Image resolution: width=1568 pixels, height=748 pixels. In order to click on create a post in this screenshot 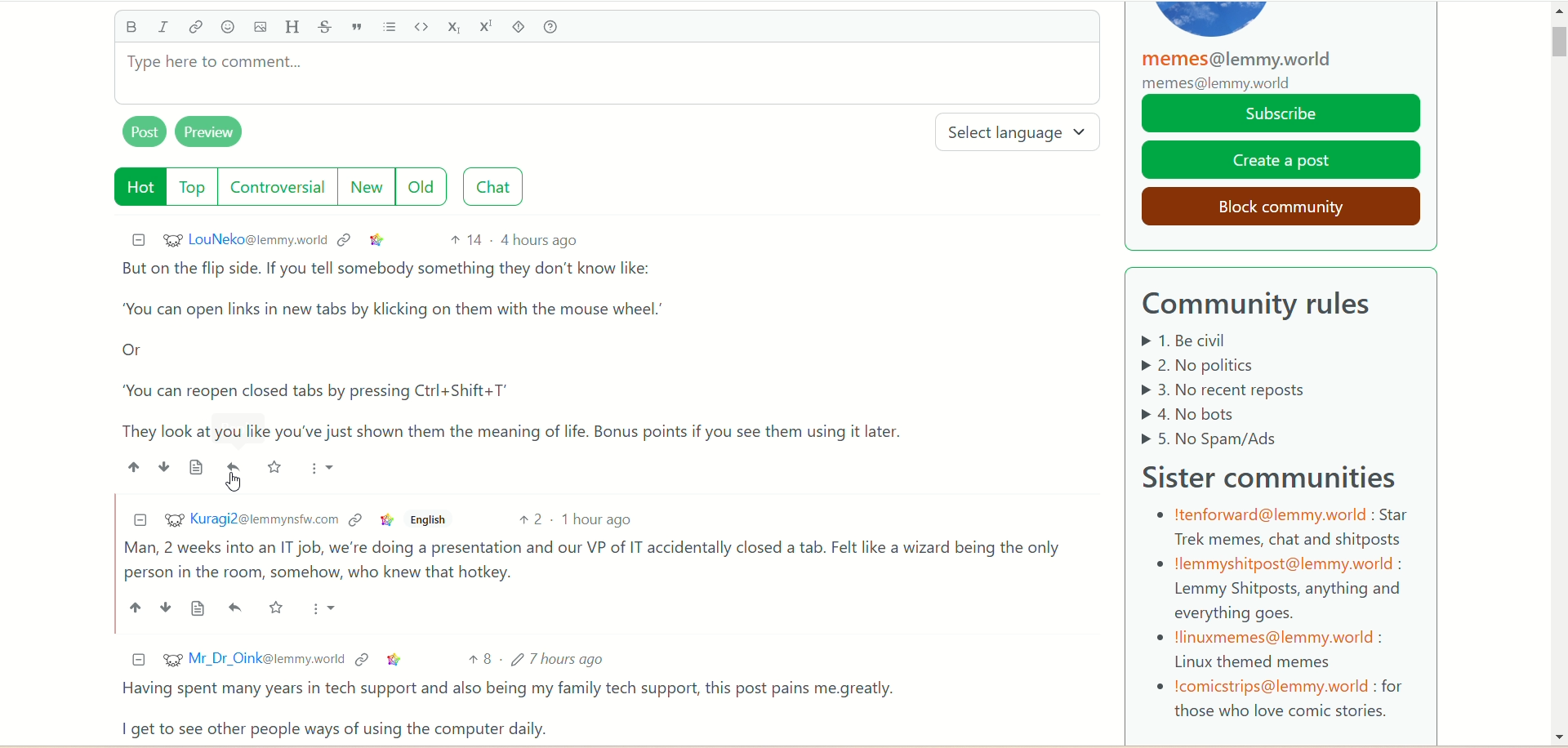, I will do `click(1282, 160)`.